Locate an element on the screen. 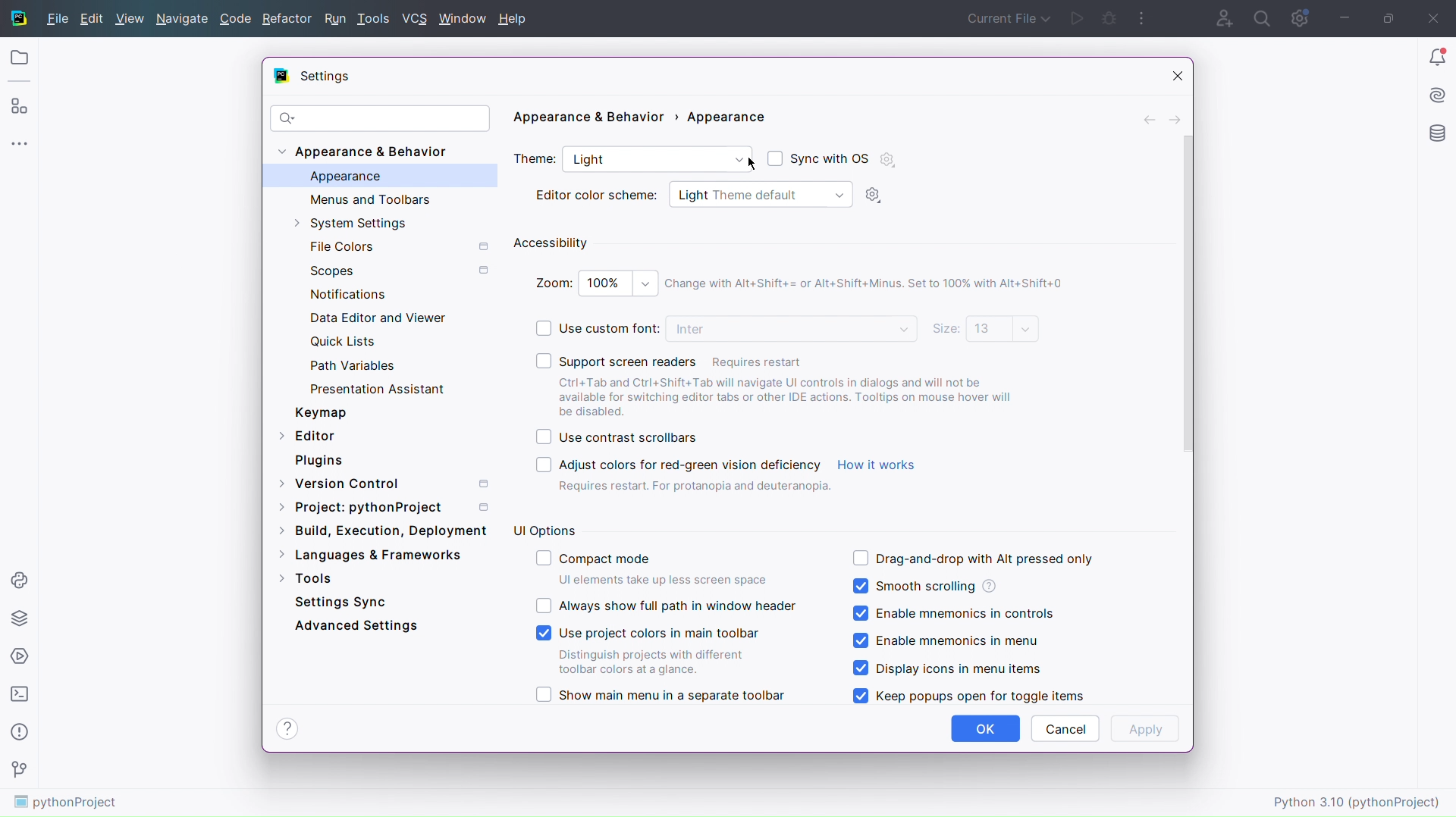 Image resolution: width=1456 pixels, height=817 pixels. Light Theme Default is located at coordinates (758, 194).